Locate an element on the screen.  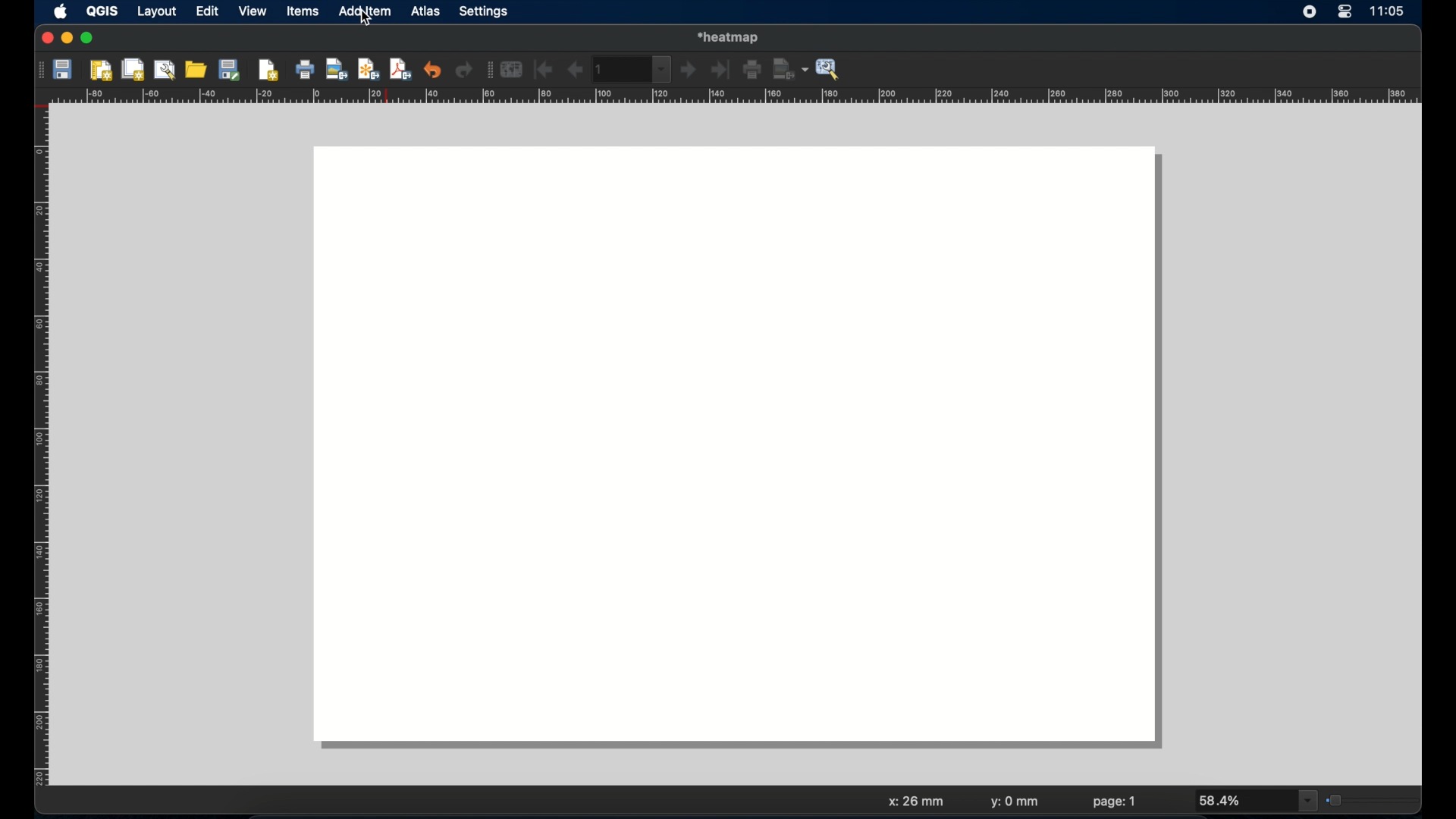
atlas is located at coordinates (428, 13).